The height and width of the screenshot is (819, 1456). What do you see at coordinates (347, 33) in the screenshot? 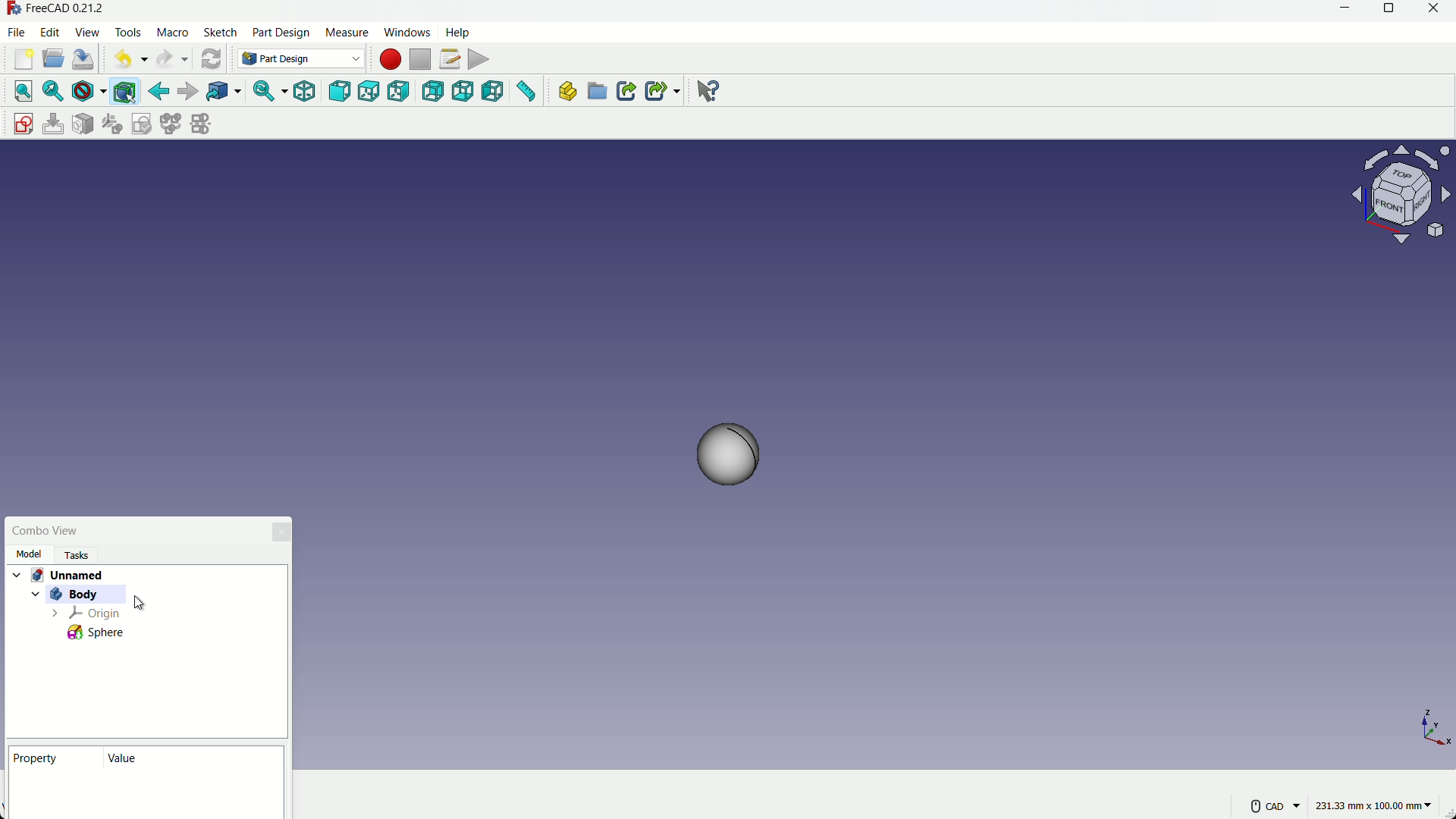
I see `measure menu` at bounding box center [347, 33].